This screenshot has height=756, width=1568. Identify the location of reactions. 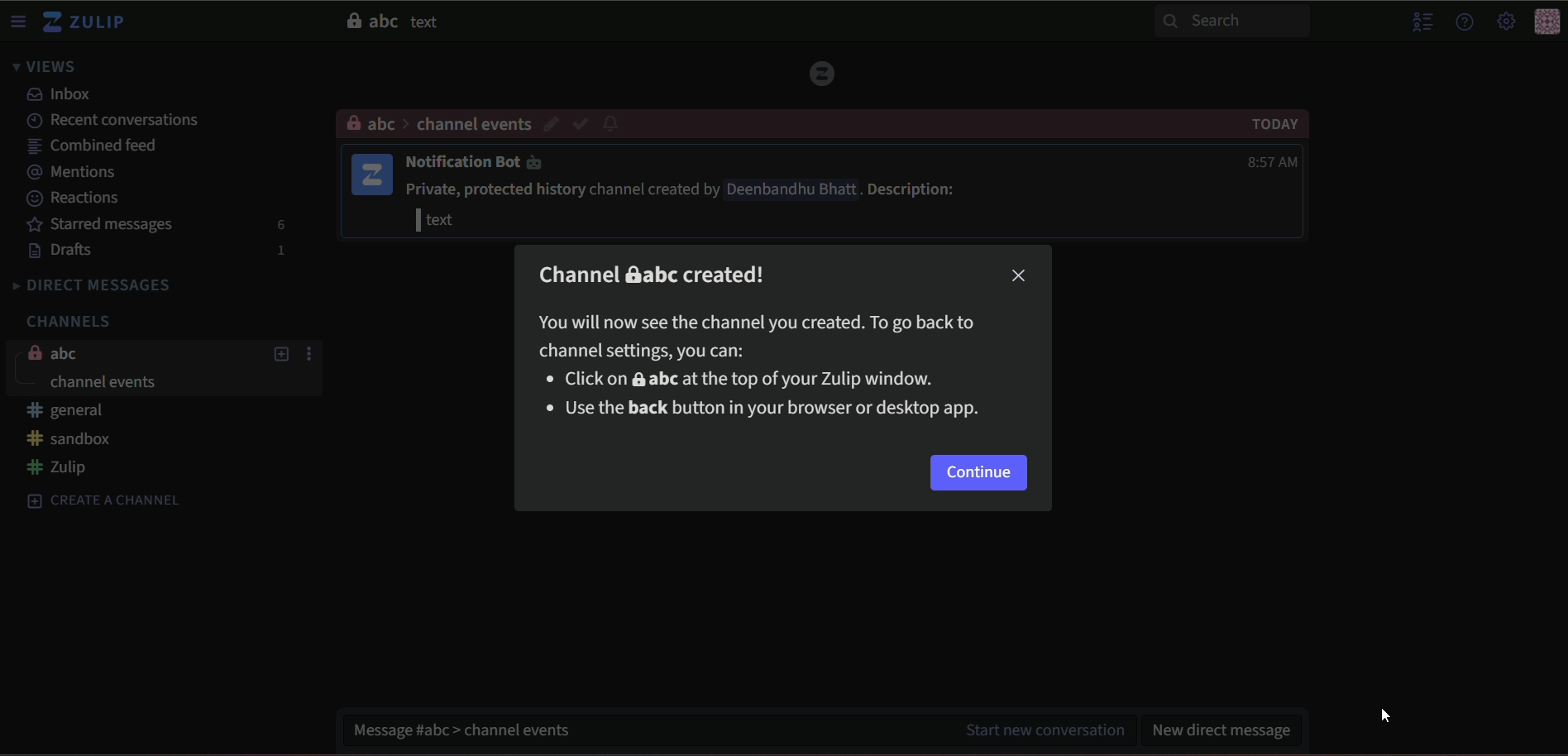
(76, 199).